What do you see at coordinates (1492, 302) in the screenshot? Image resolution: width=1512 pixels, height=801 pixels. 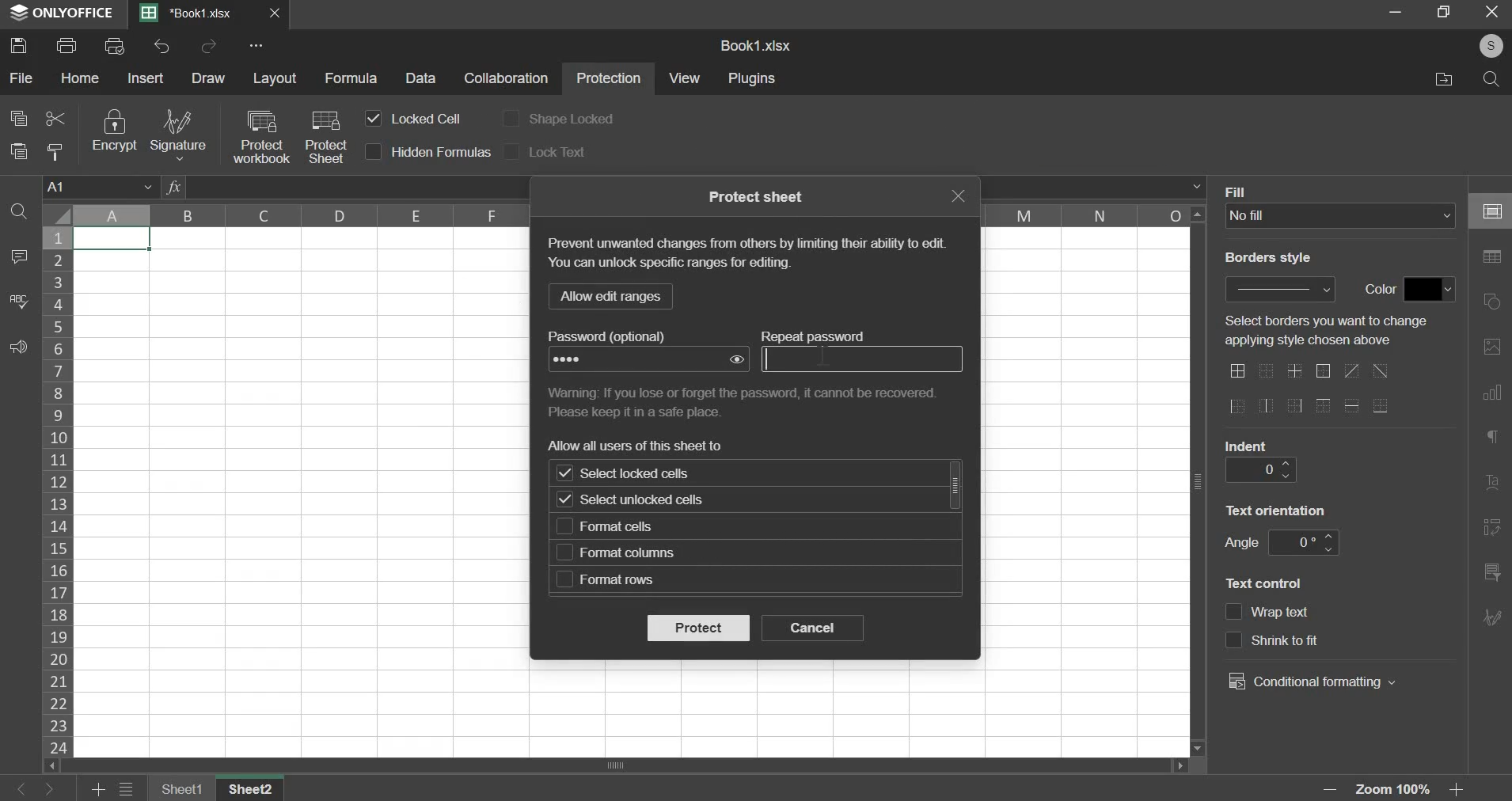 I see `right side bar` at bounding box center [1492, 302].